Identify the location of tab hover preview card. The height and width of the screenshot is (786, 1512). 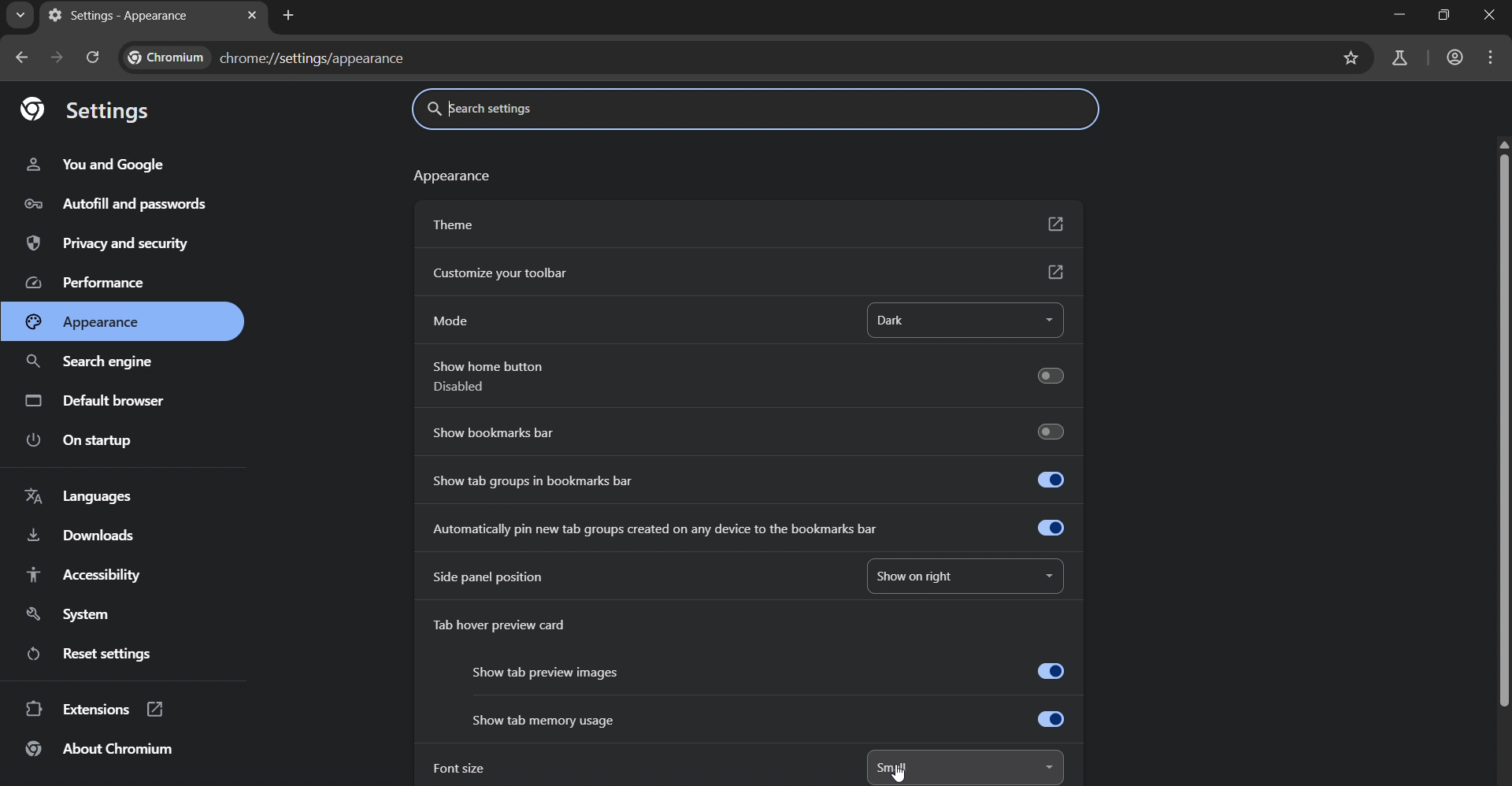
(512, 628).